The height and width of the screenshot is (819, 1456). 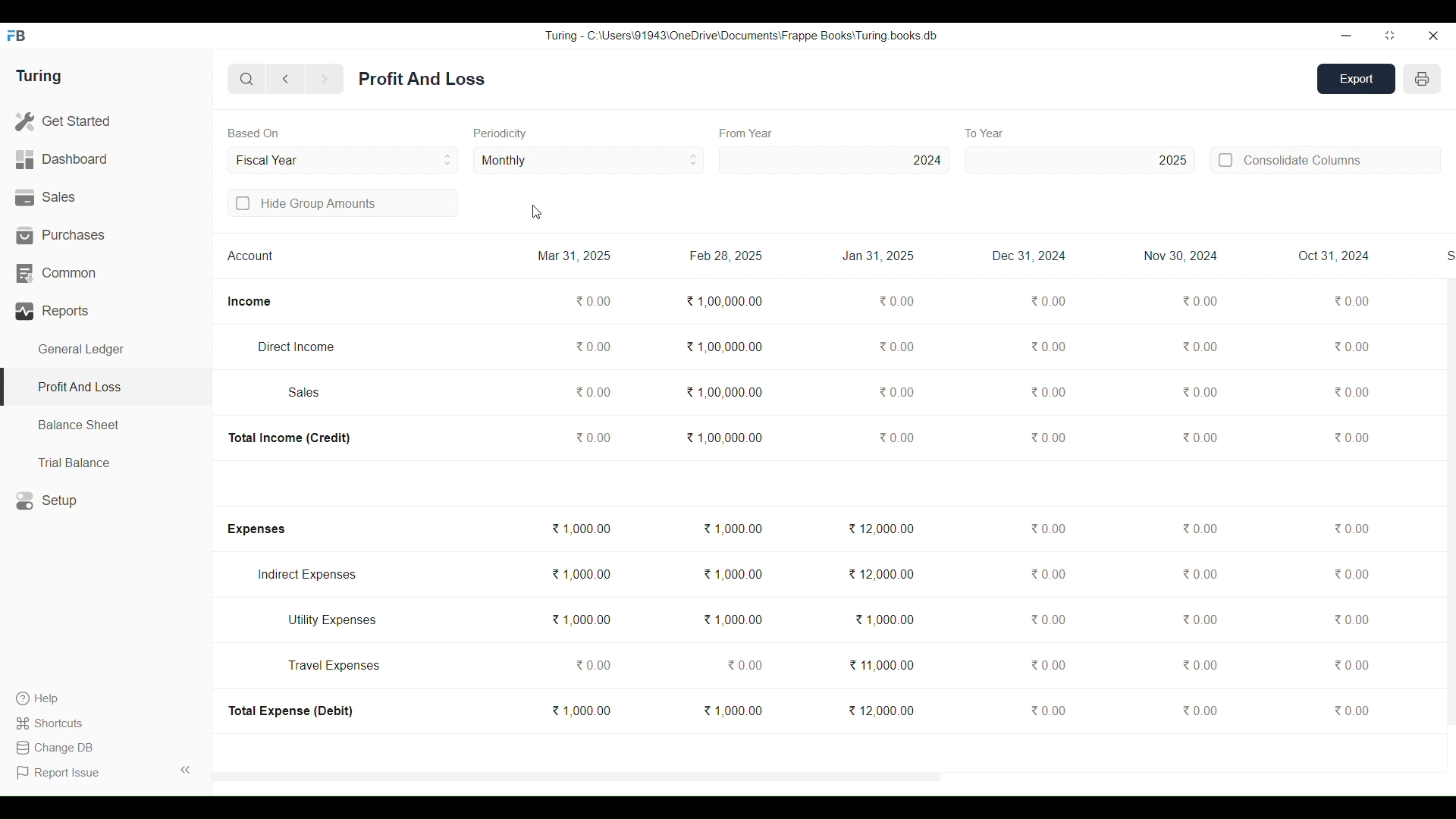 What do you see at coordinates (1346, 36) in the screenshot?
I see `Minimize` at bounding box center [1346, 36].